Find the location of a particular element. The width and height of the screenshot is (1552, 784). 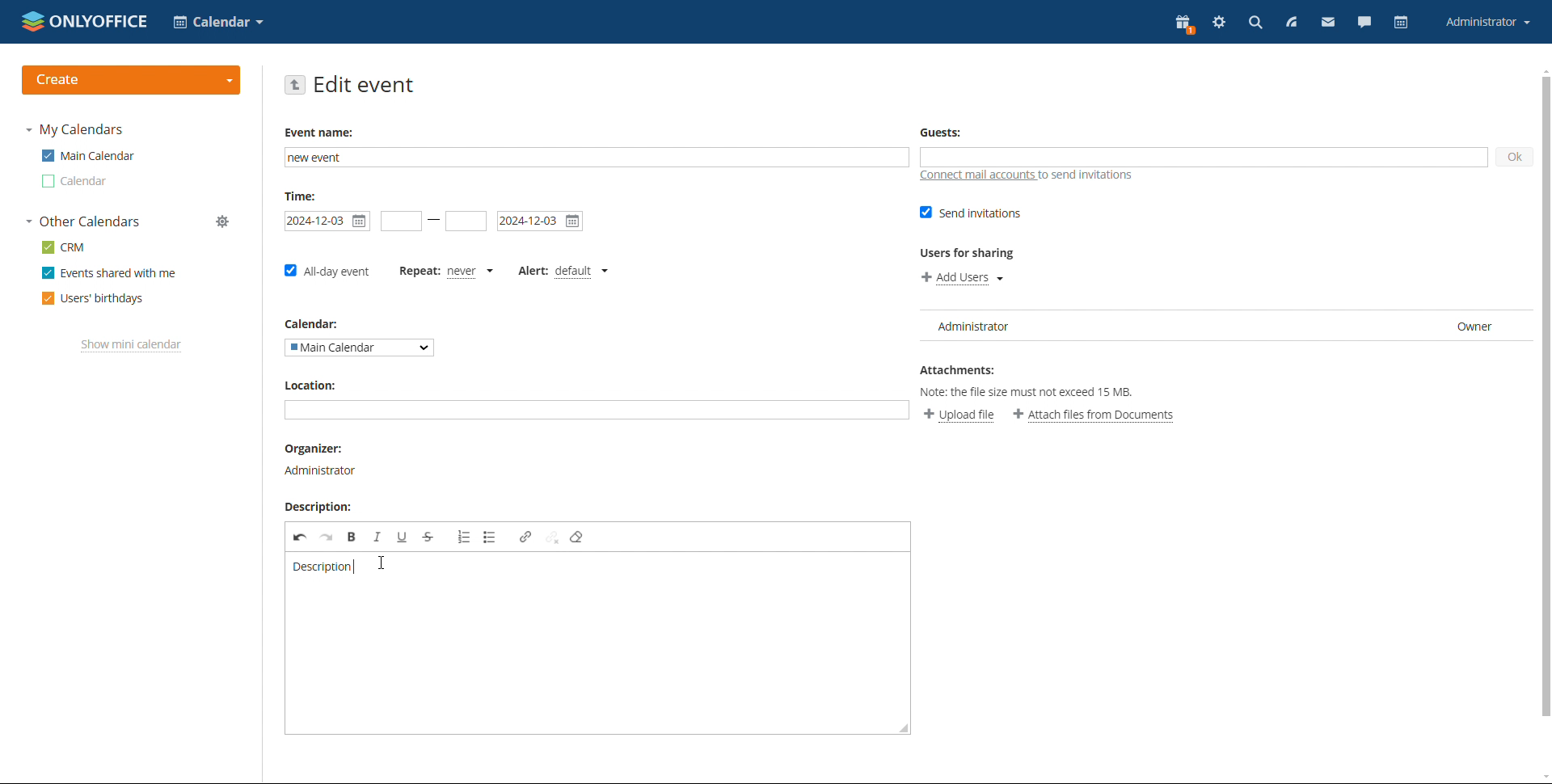

set alert is located at coordinates (531, 271).